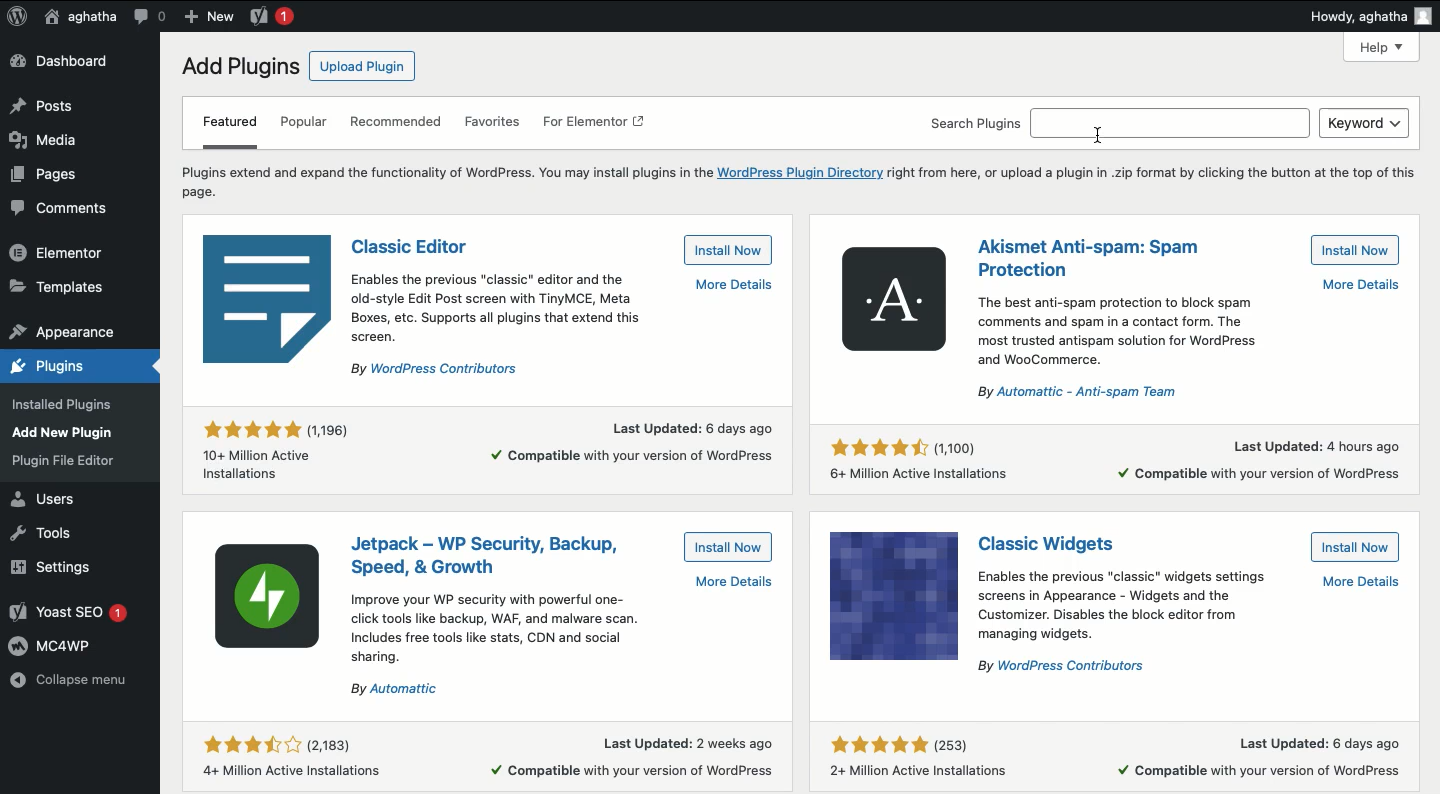 The height and width of the screenshot is (794, 1440). I want to click on Usera, so click(80, 18).